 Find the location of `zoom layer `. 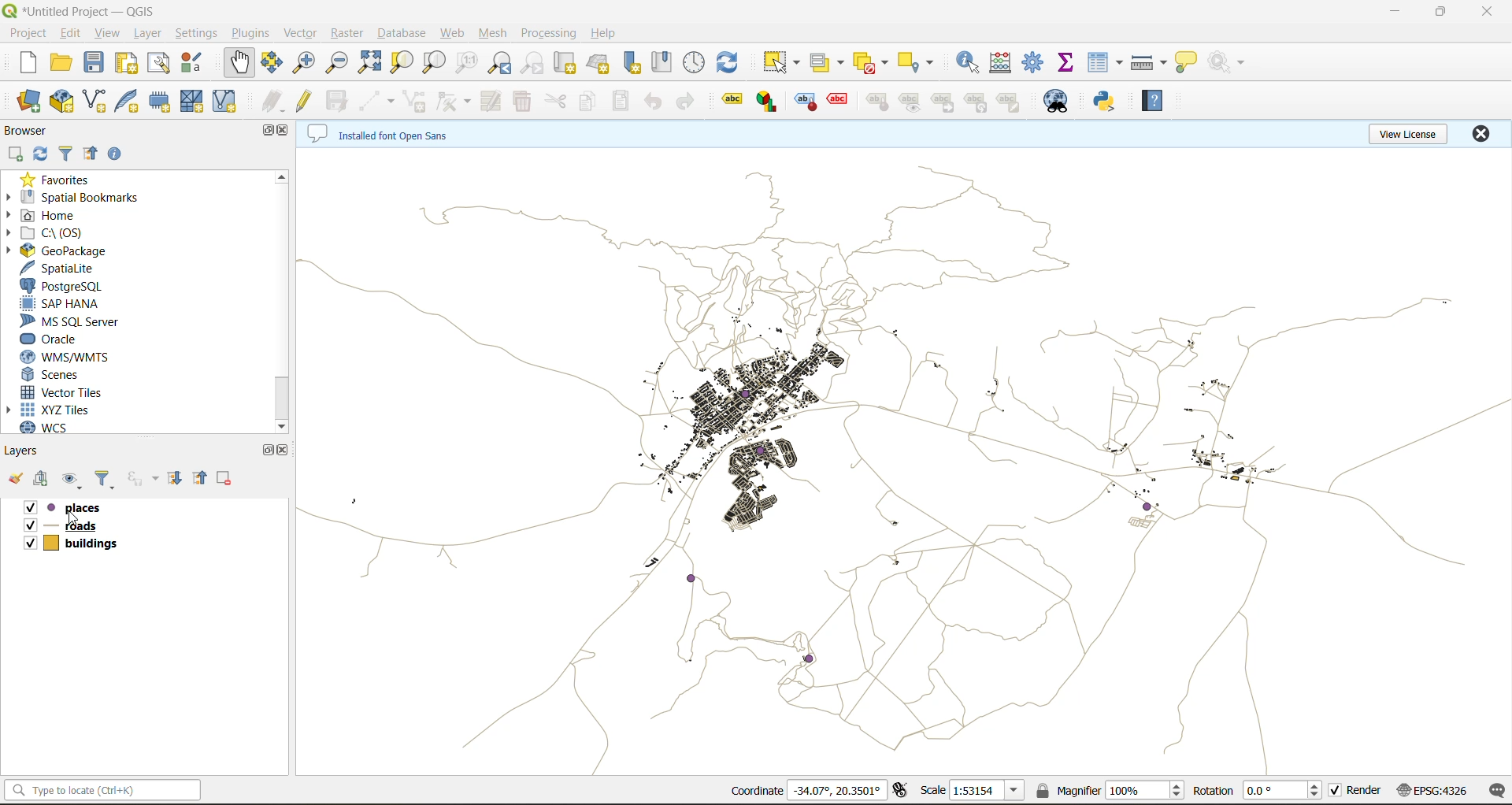

zoom layer  is located at coordinates (434, 63).